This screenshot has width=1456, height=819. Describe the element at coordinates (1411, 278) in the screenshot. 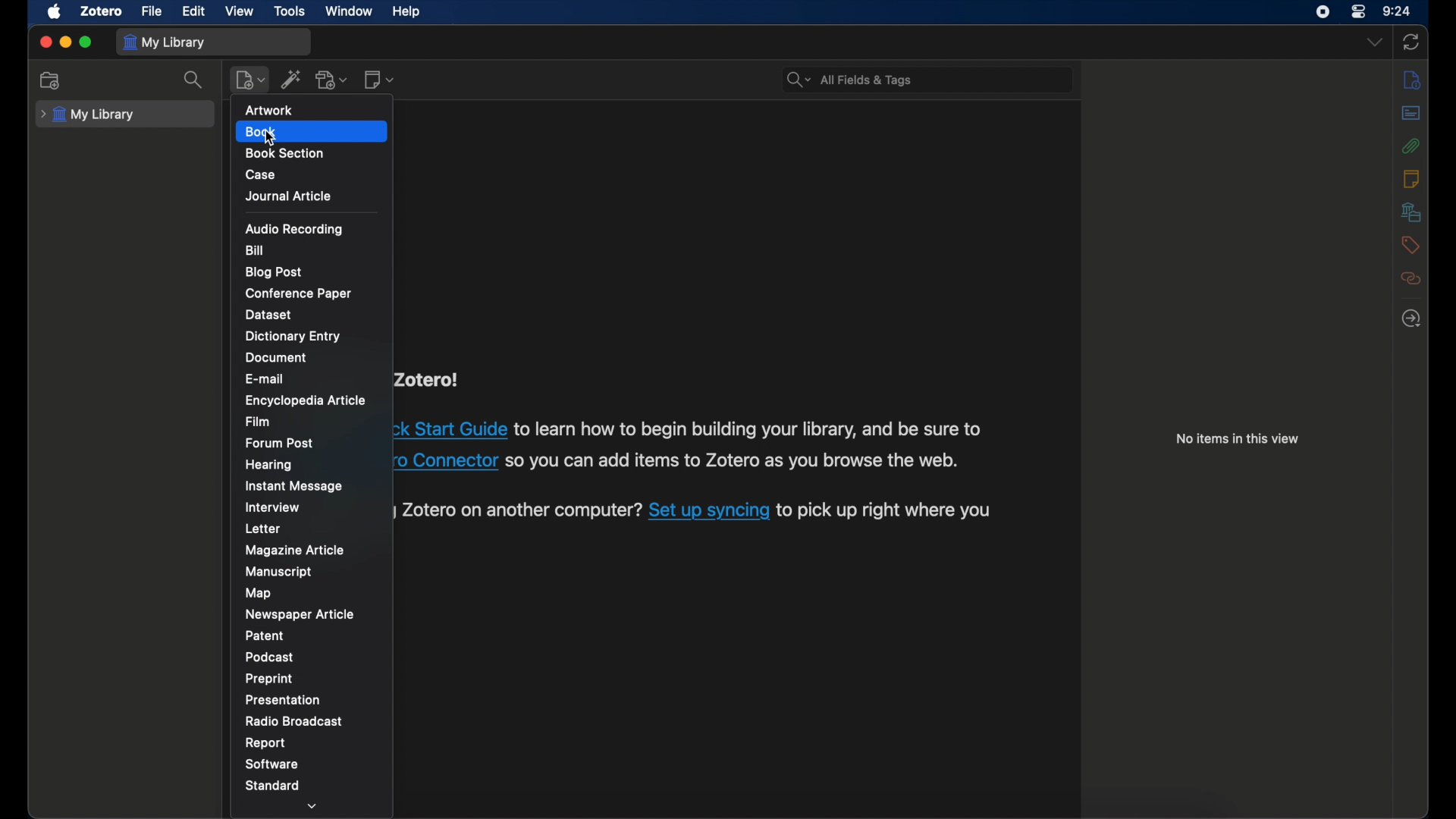

I see `related` at that location.